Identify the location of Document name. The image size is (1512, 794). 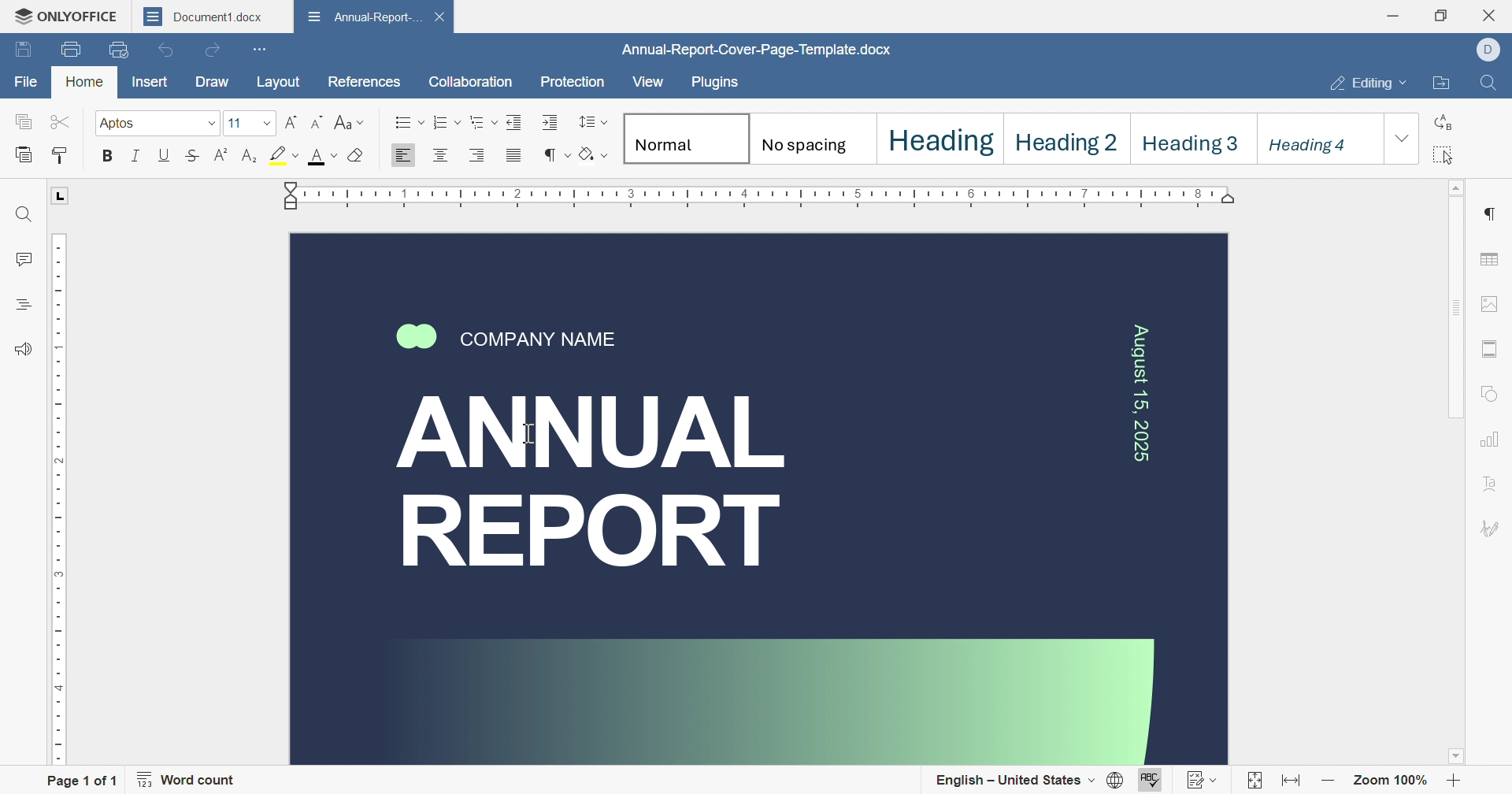
(362, 16).